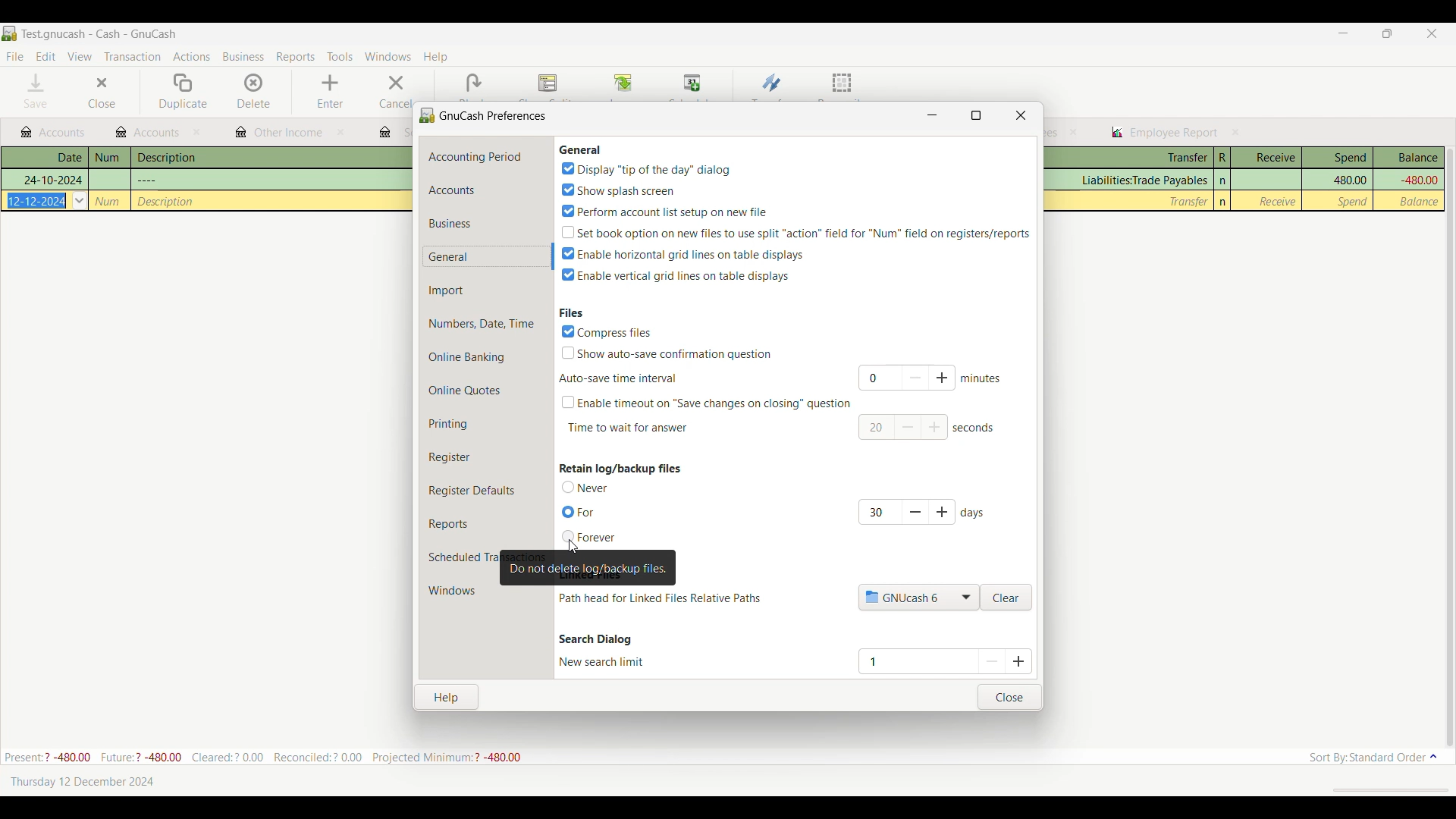 This screenshot has width=1456, height=819. What do you see at coordinates (588, 568) in the screenshot?
I see `Description of current selection` at bounding box center [588, 568].